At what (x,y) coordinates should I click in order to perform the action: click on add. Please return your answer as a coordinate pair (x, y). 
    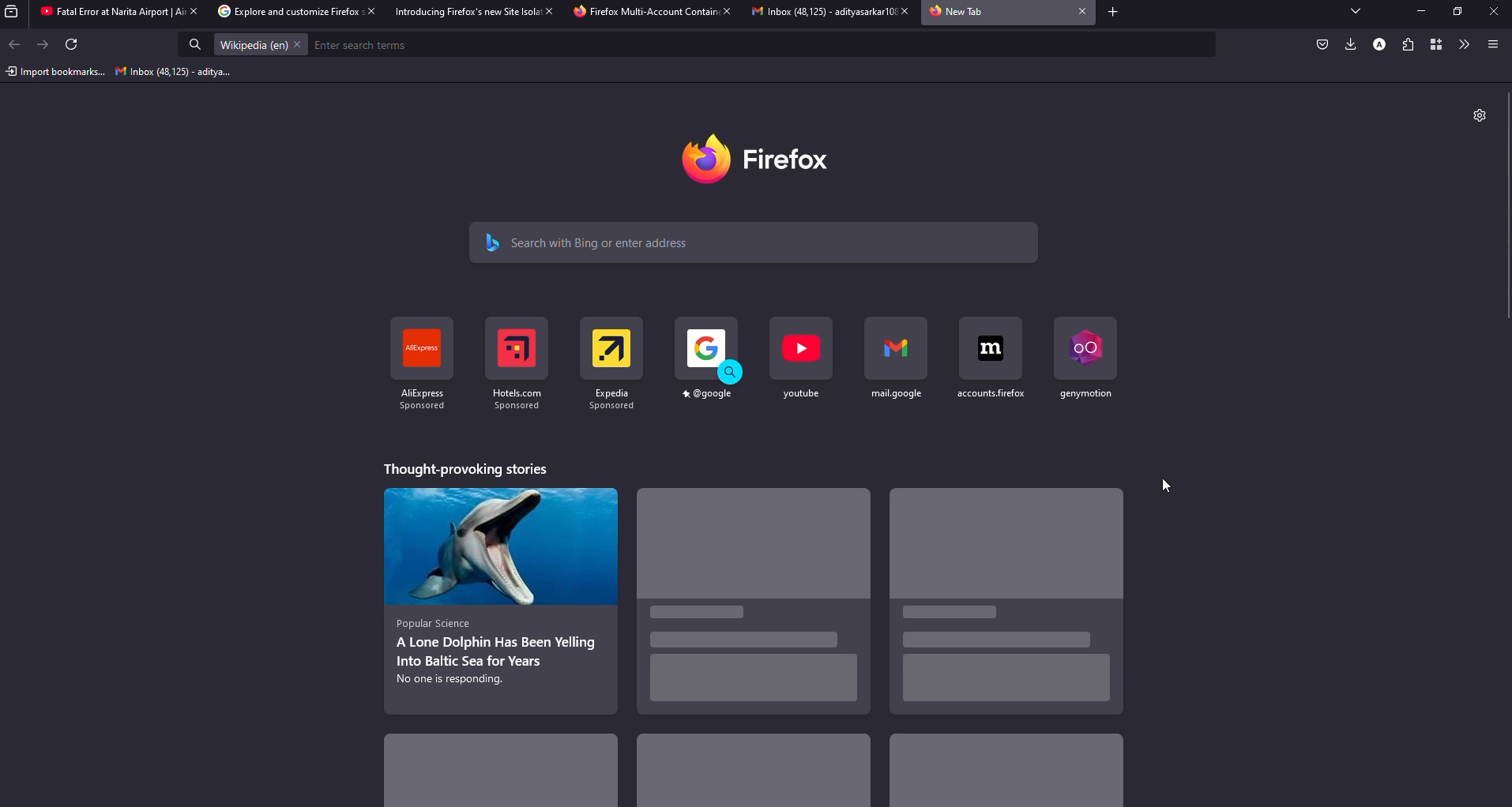
    Looking at the image, I should click on (1111, 13).